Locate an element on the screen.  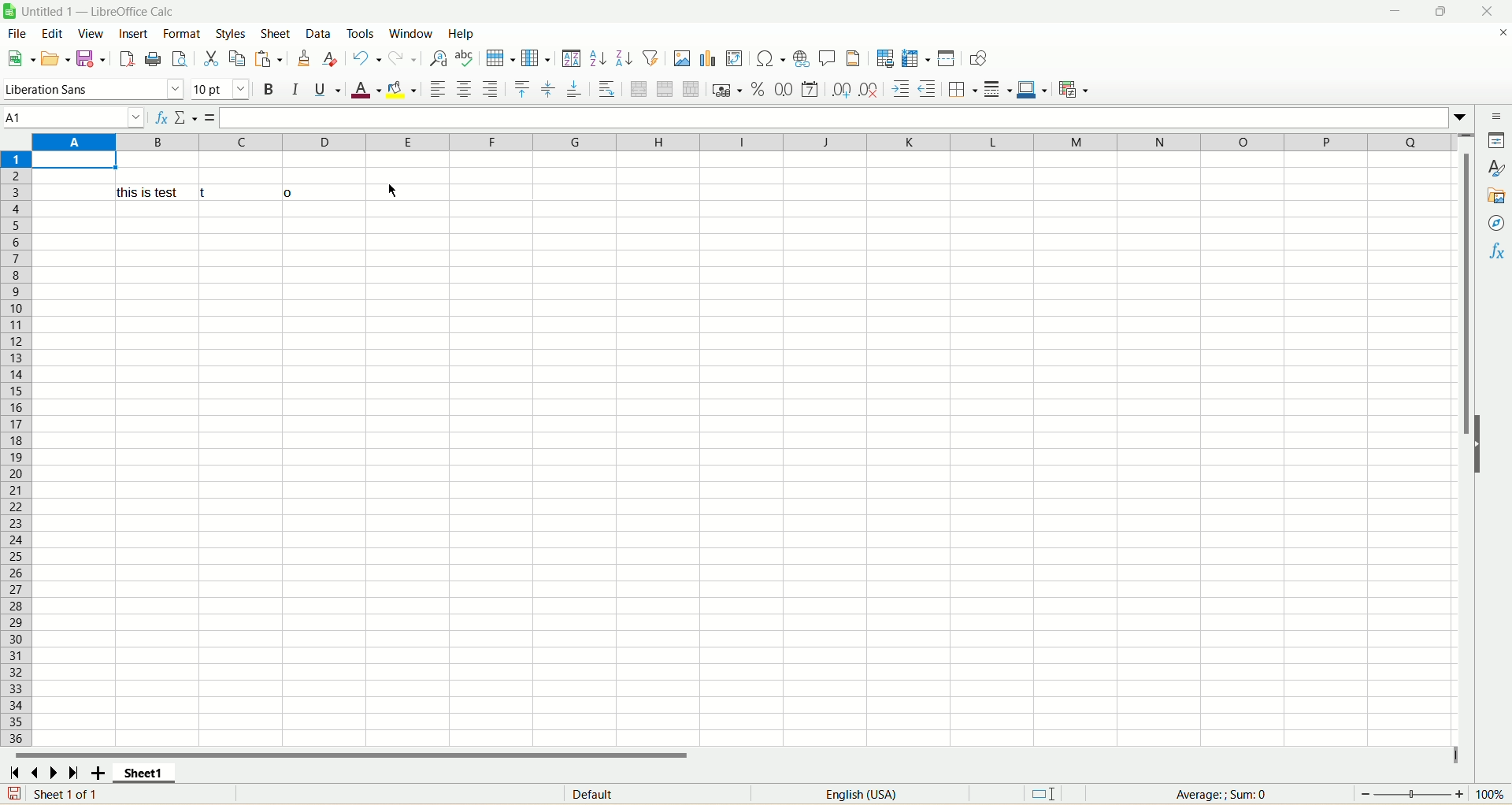
view is located at coordinates (91, 33).